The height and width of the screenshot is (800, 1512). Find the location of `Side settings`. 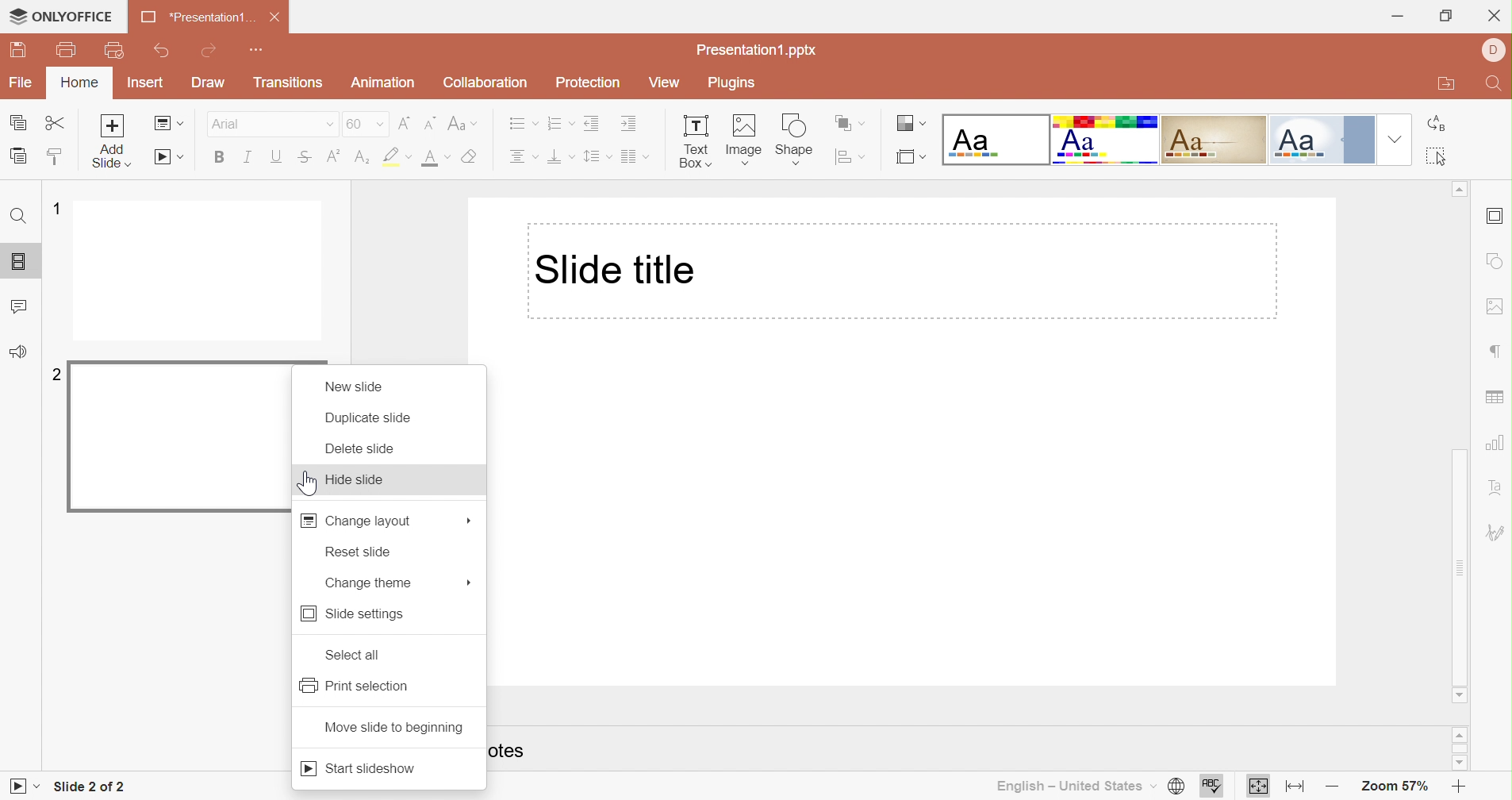

Side settings is located at coordinates (352, 615).